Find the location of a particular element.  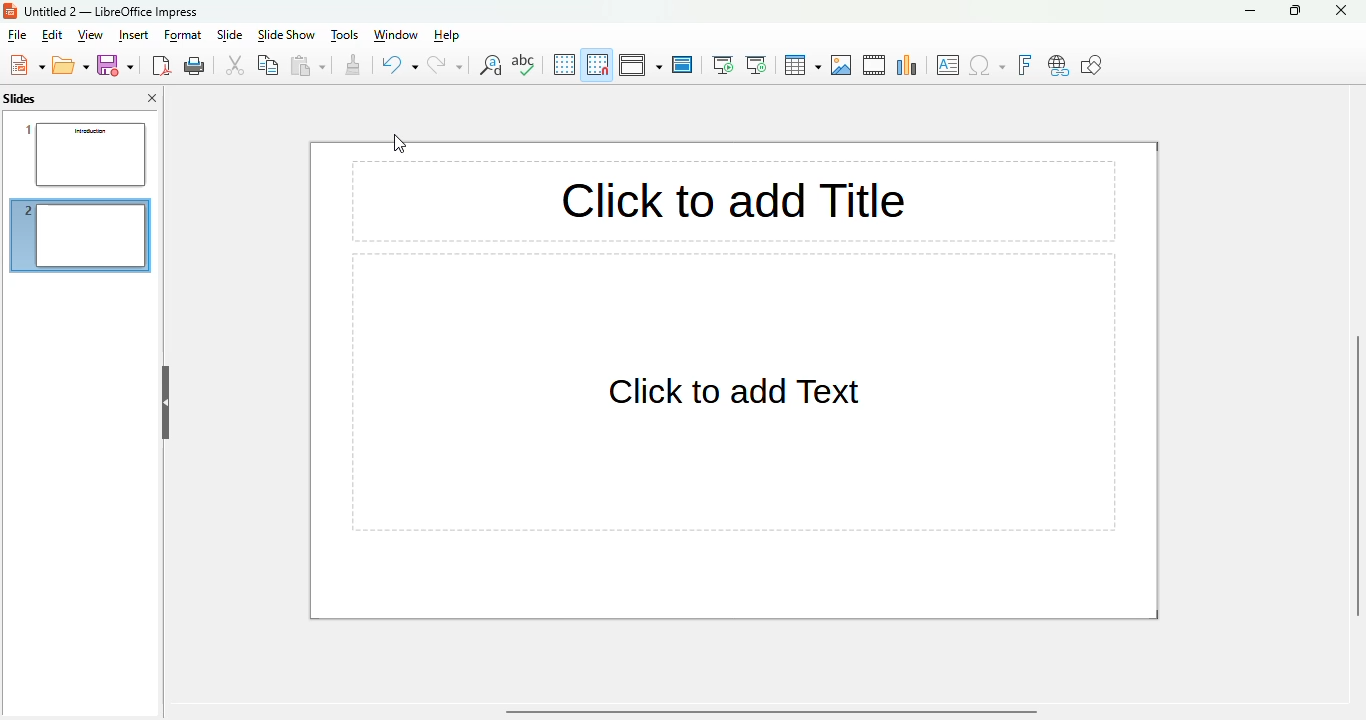

edit is located at coordinates (52, 35).